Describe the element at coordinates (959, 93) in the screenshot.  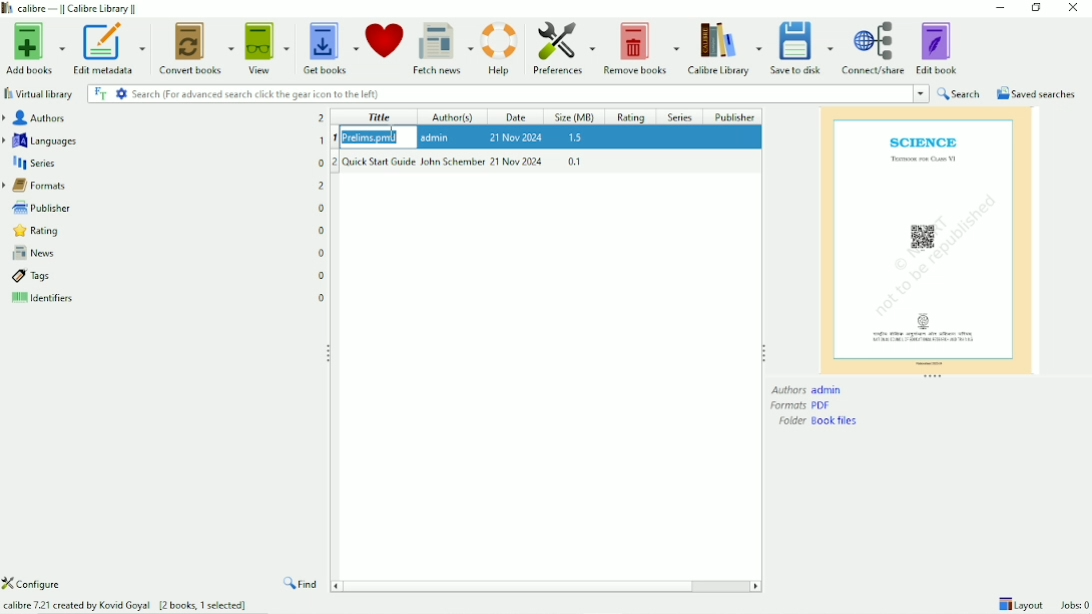
I see `Search` at that location.